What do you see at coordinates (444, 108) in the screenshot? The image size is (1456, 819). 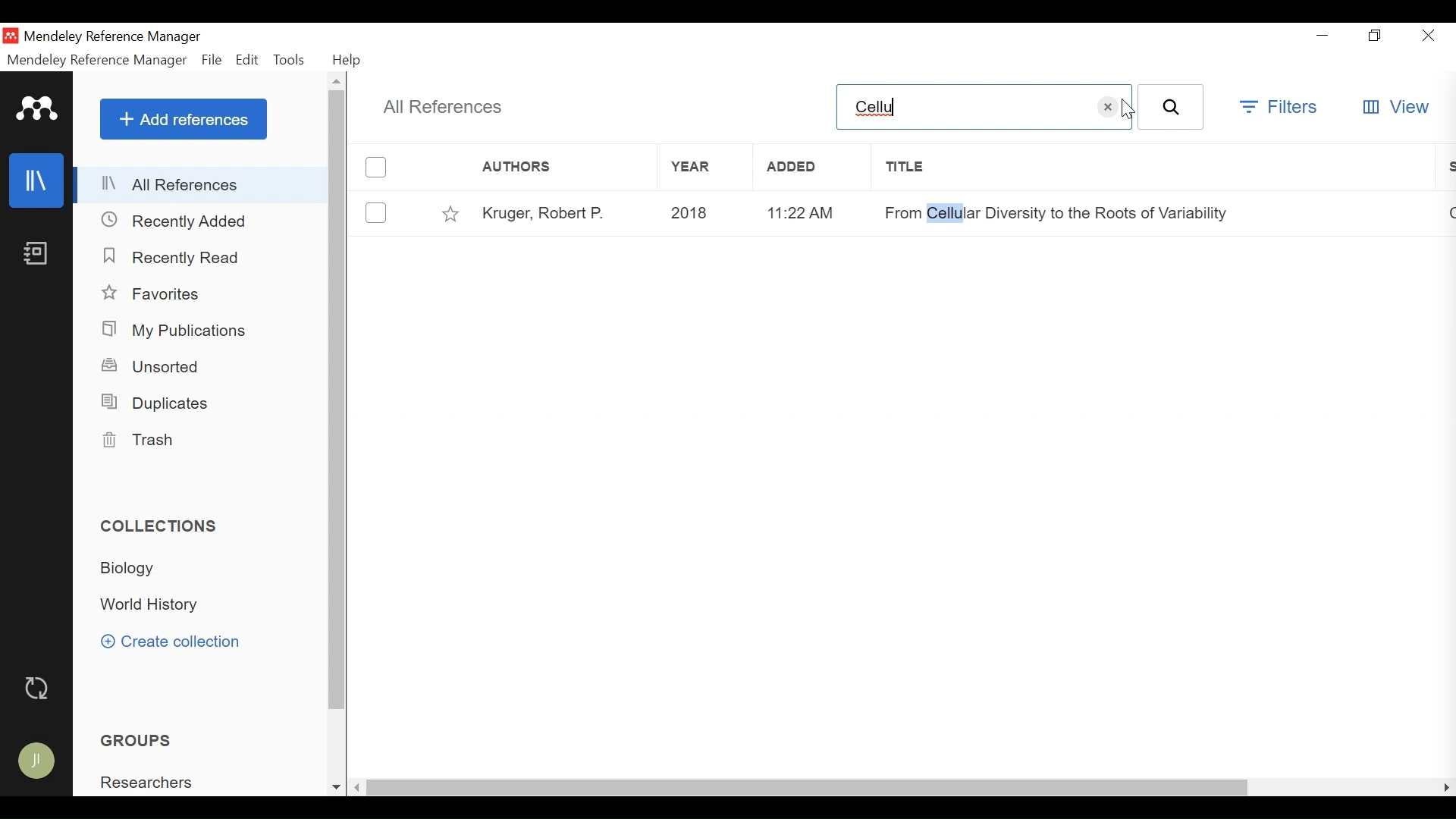 I see `All References` at bounding box center [444, 108].